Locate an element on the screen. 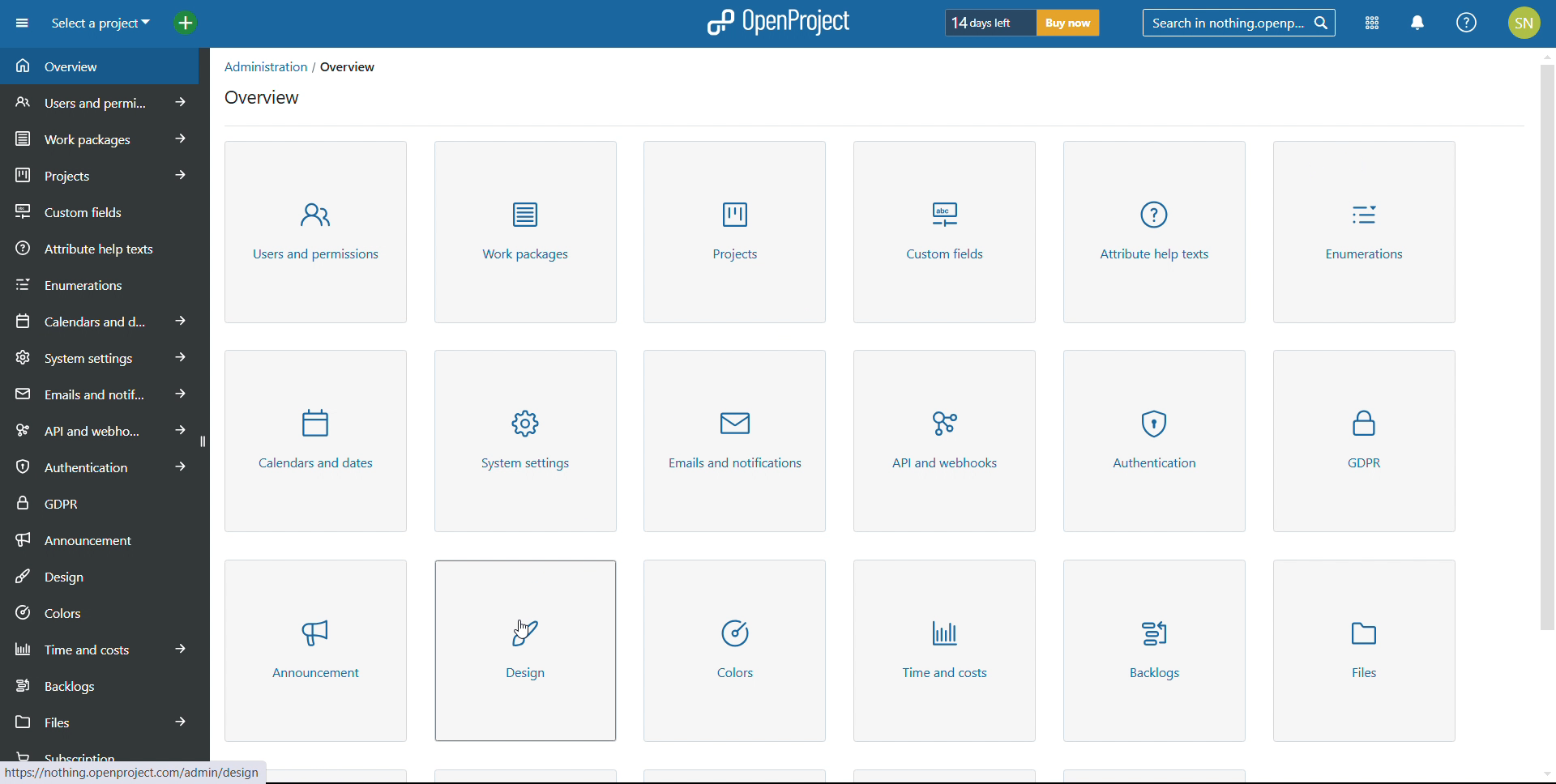 The image size is (1556, 784). select a project is located at coordinates (100, 23).